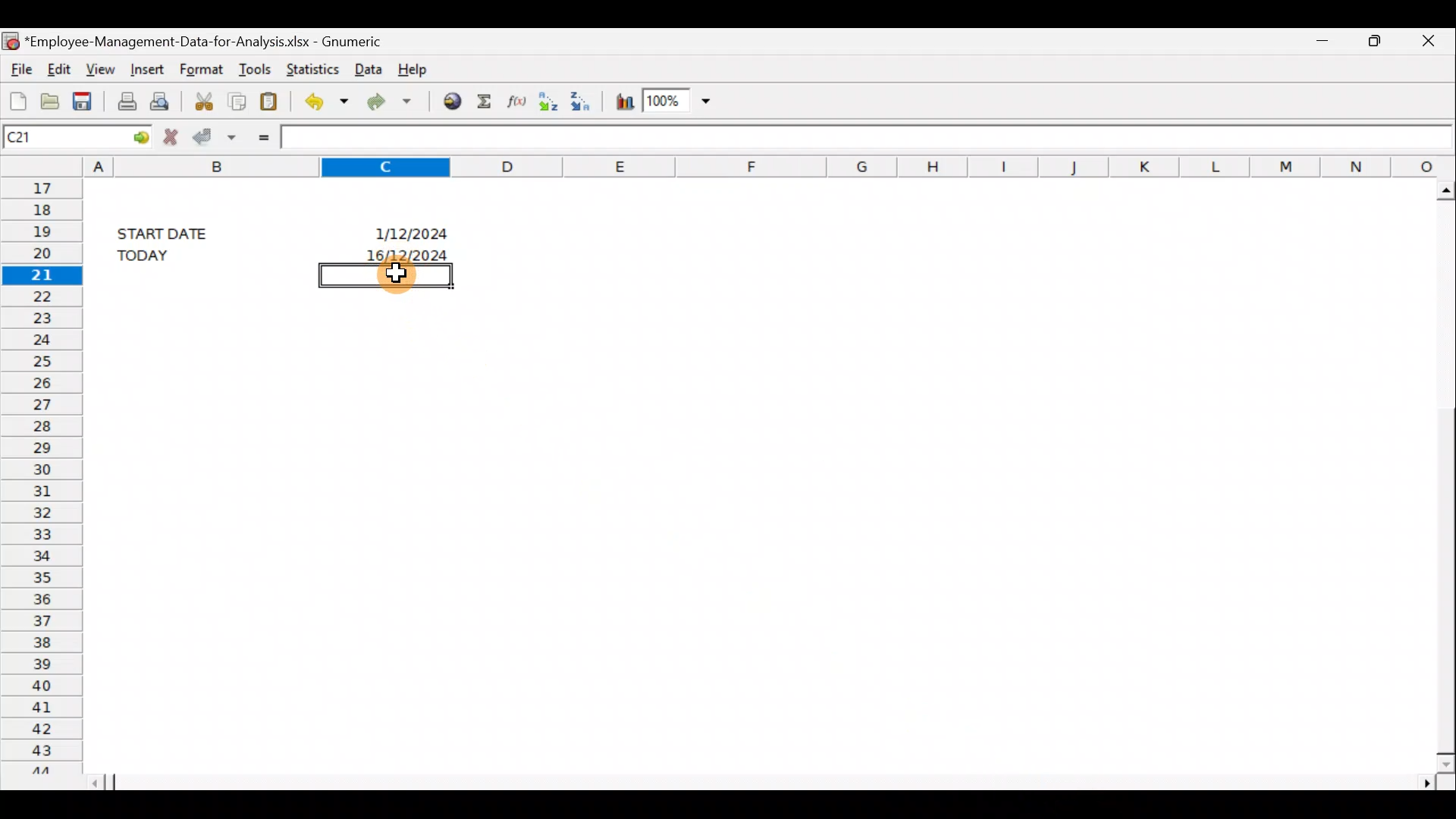  Describe the element at coordinates (769, 165) in the screenshot. I see `Columns` at that location.